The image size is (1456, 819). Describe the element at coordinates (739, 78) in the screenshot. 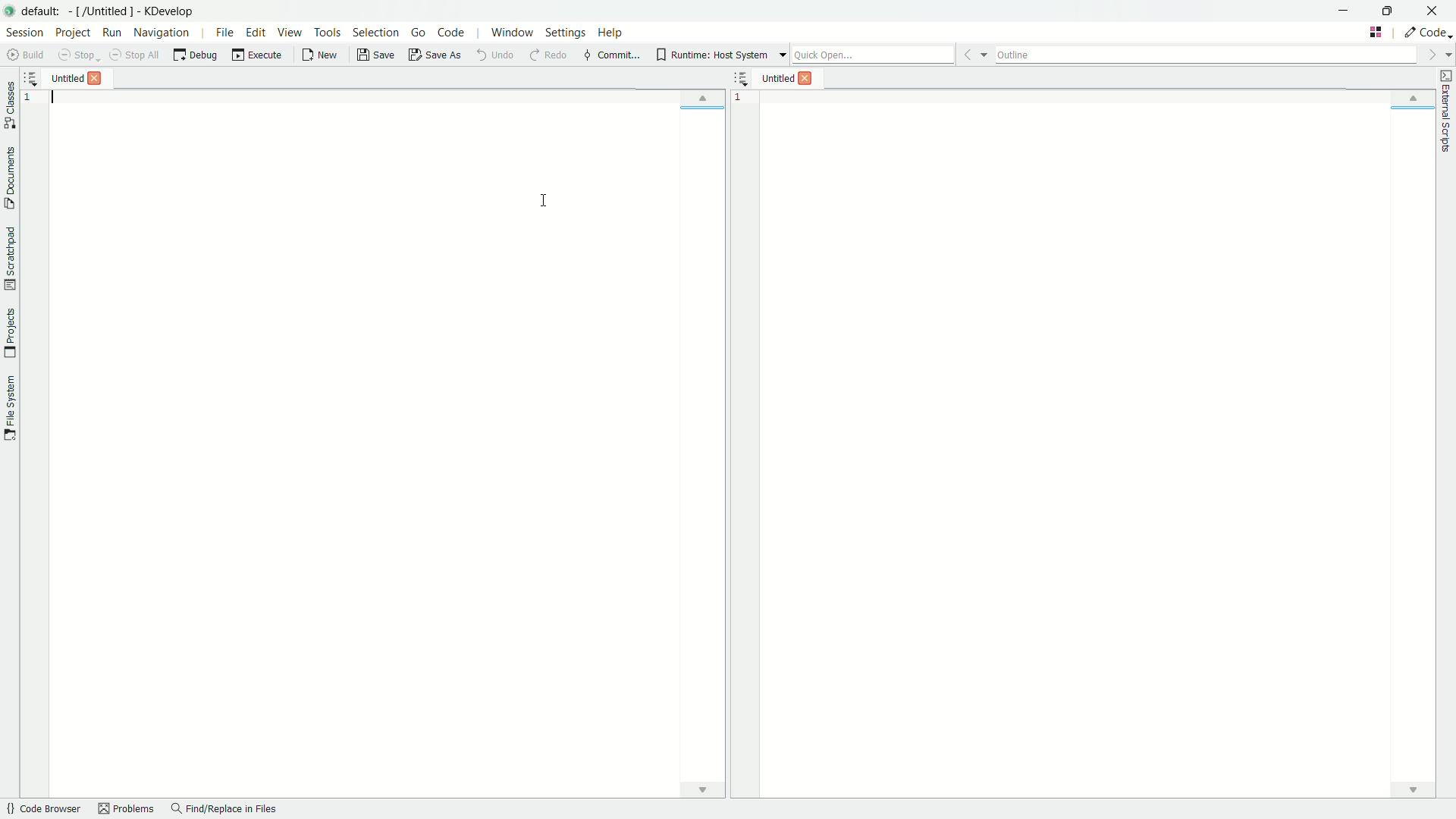

I see `more options` at that location.